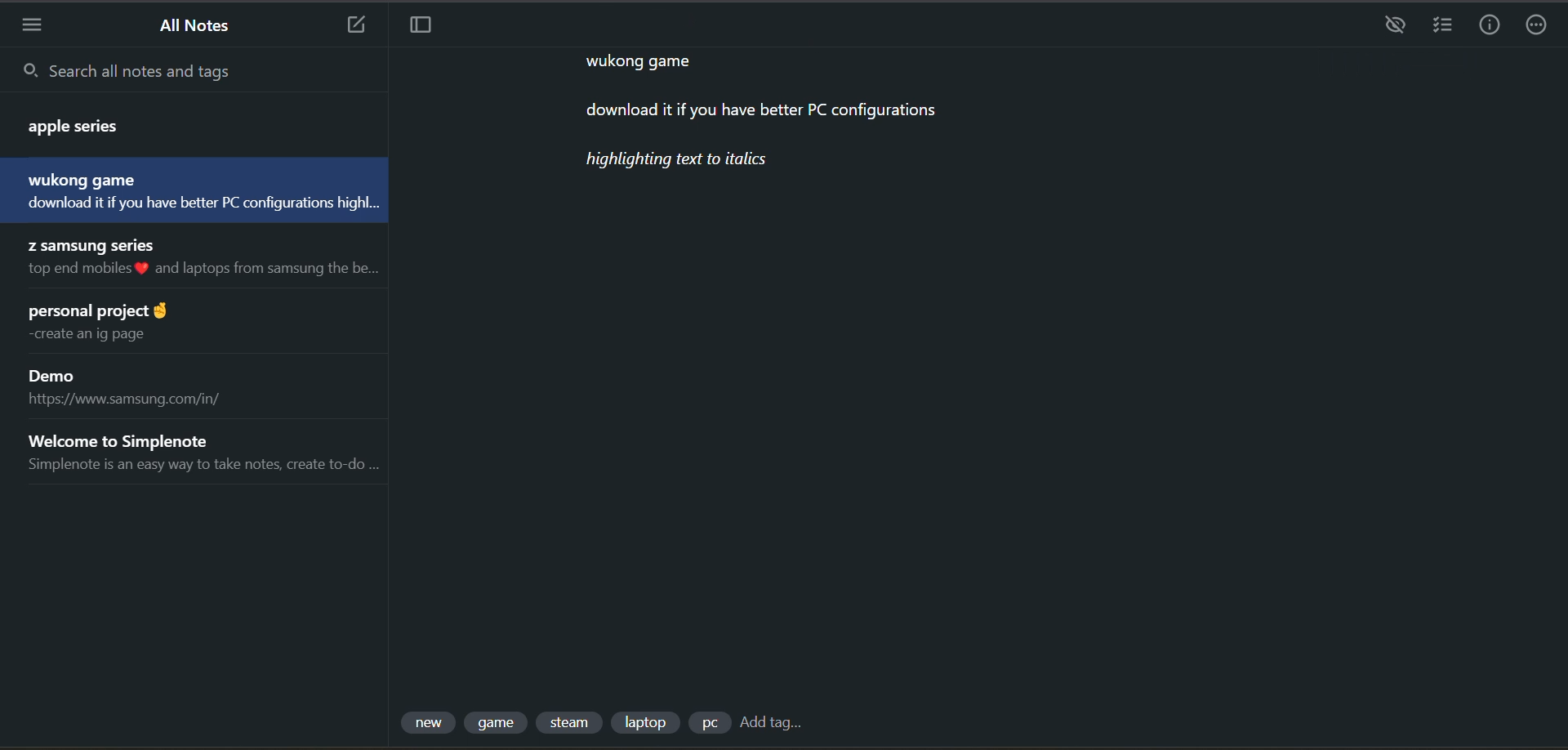  What do you see at coordinates (421, 27) in the screenshot?
I see `toggle focus mode` at bounding box center [421, 27].